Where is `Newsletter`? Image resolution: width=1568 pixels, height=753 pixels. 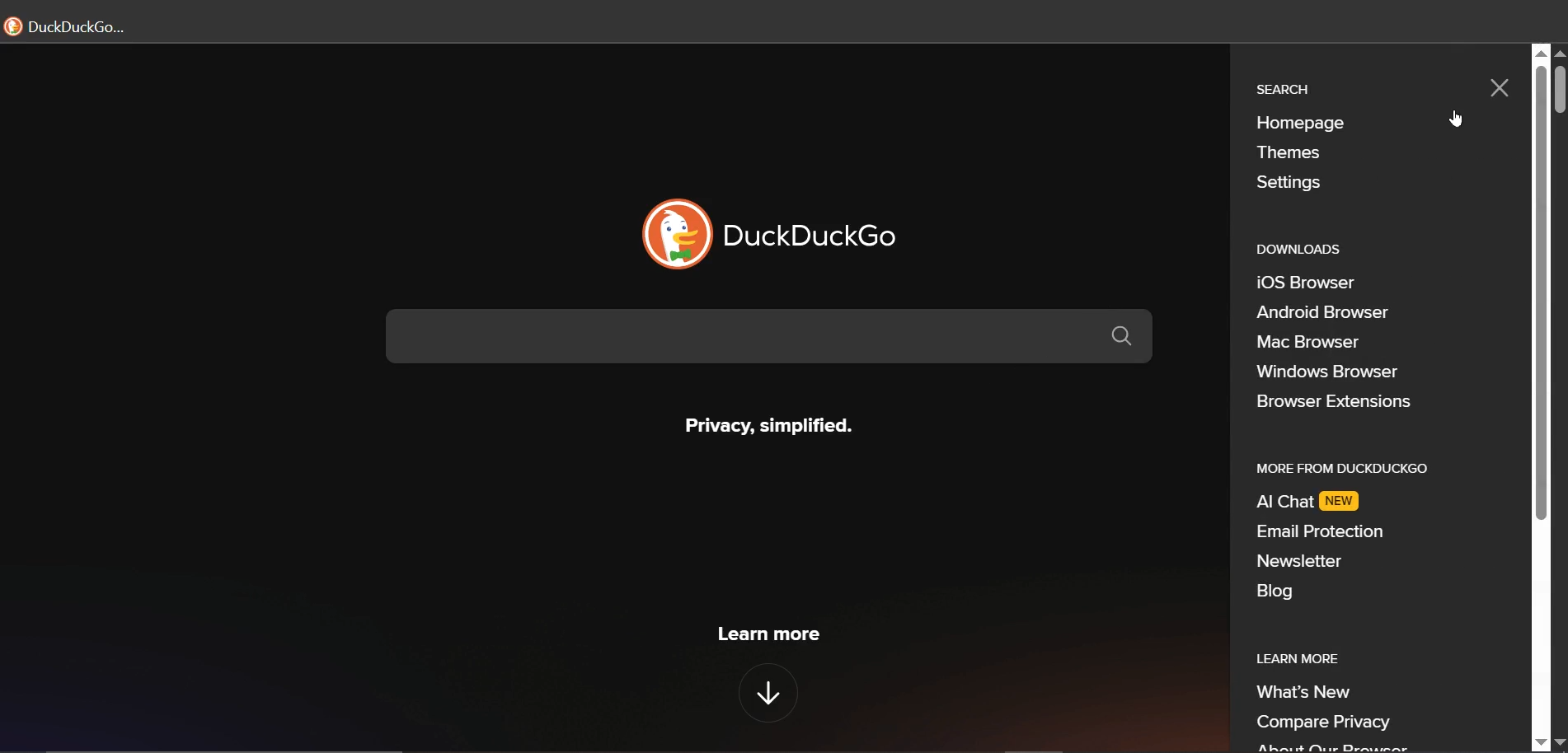
Newsletter is located at coordinates (1302, 559).